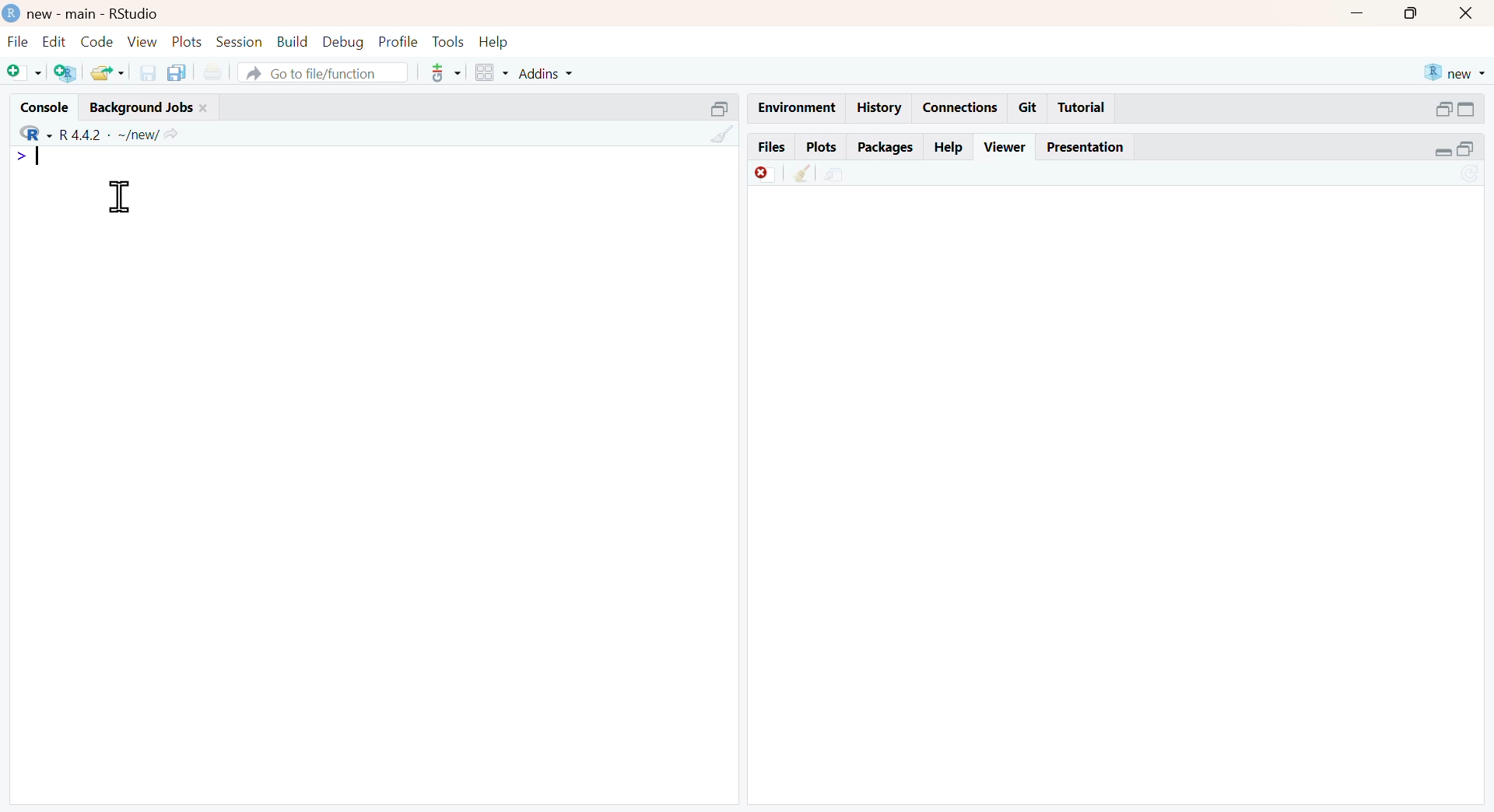 This screenshot has height=812, width=1494. Describe the element at coordinates (1360, 12) in the screenshot. I see `Minimise ` at that location.